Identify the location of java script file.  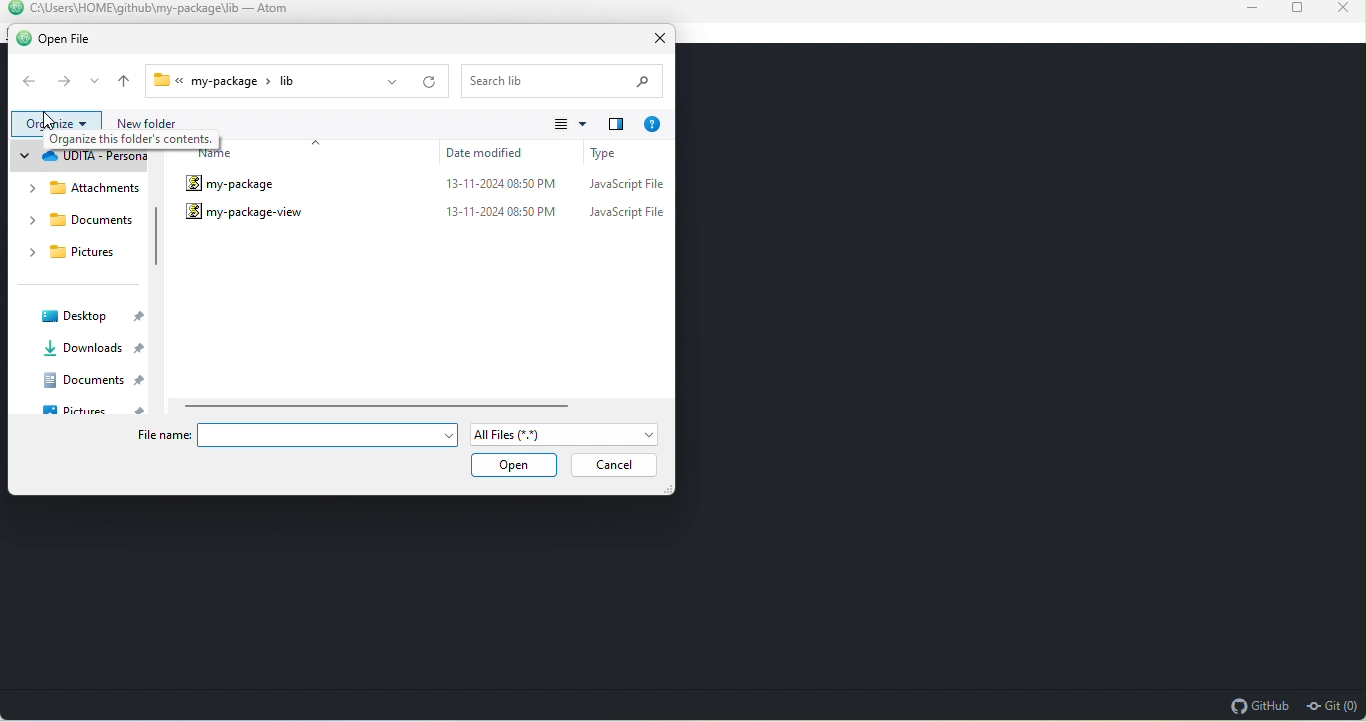
(623, 188).